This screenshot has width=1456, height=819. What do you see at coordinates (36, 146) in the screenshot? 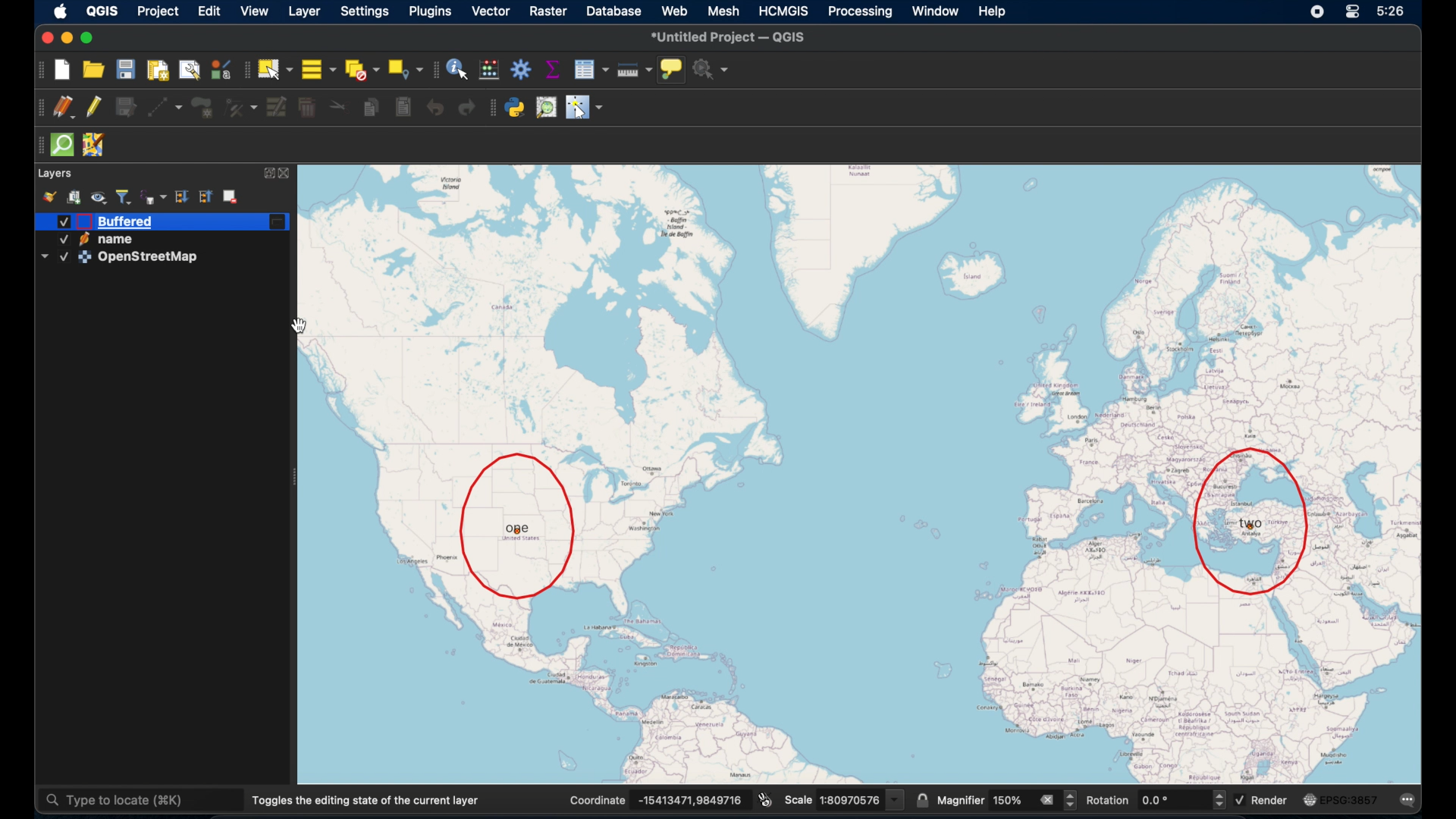
I see `drag handle` at bounding box center [36, 146].